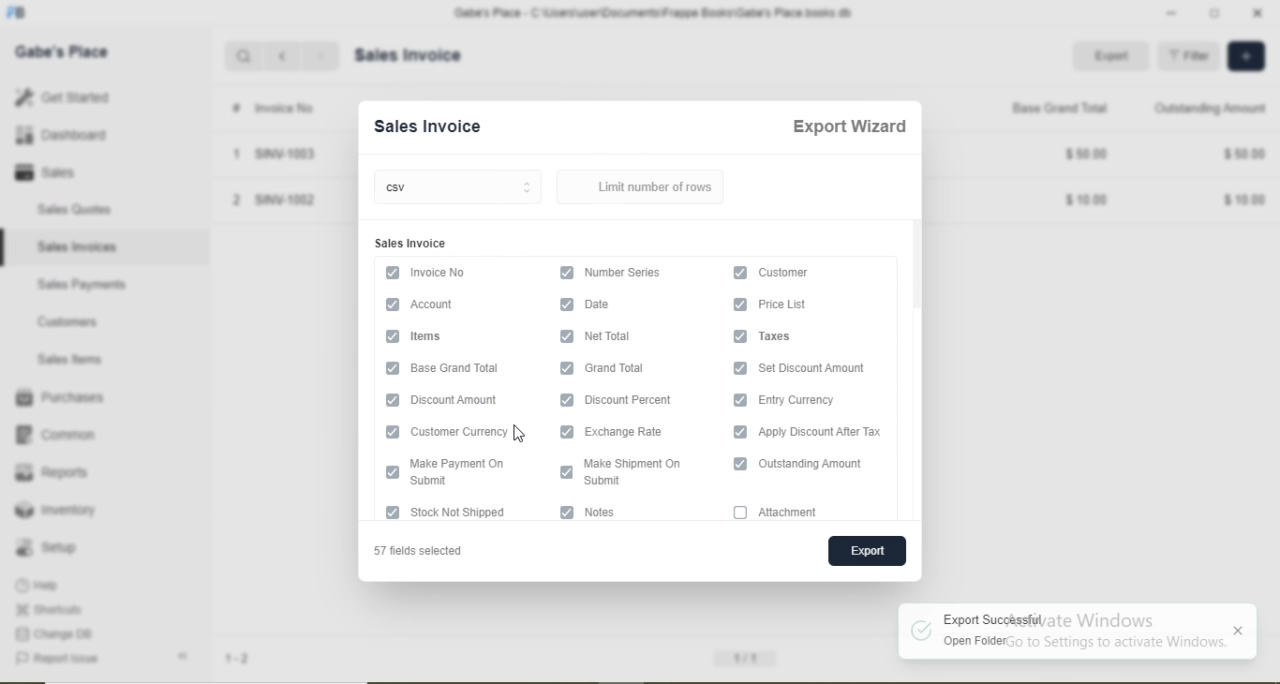 The height and width of the screenshot is (684, 1280). I want to click on checkbox, so click(390, 430).